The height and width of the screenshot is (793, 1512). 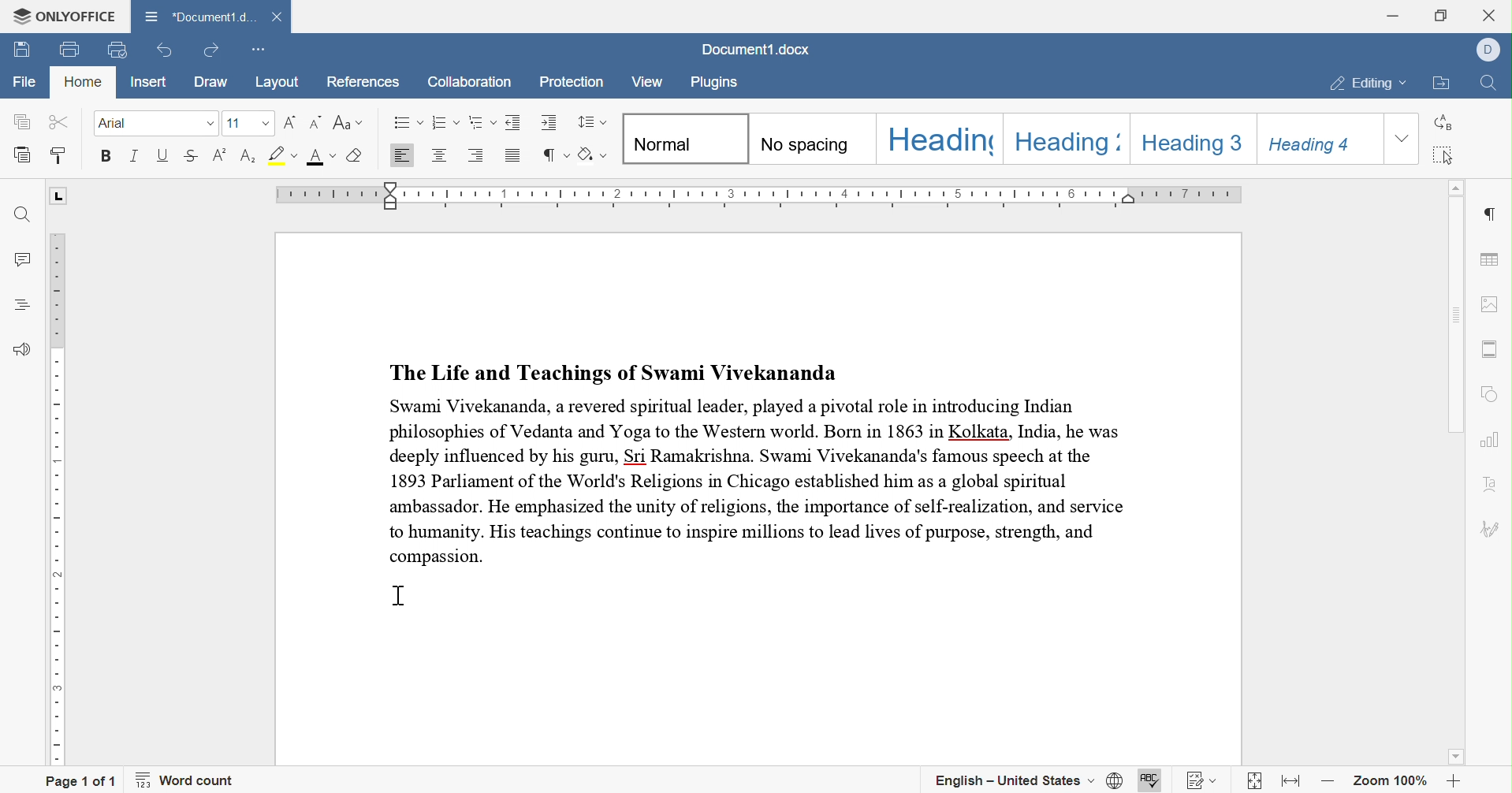 What do you see at coordinates (348, 122) in the screenshot?
I see `change case` at bounding box center [348, 122].